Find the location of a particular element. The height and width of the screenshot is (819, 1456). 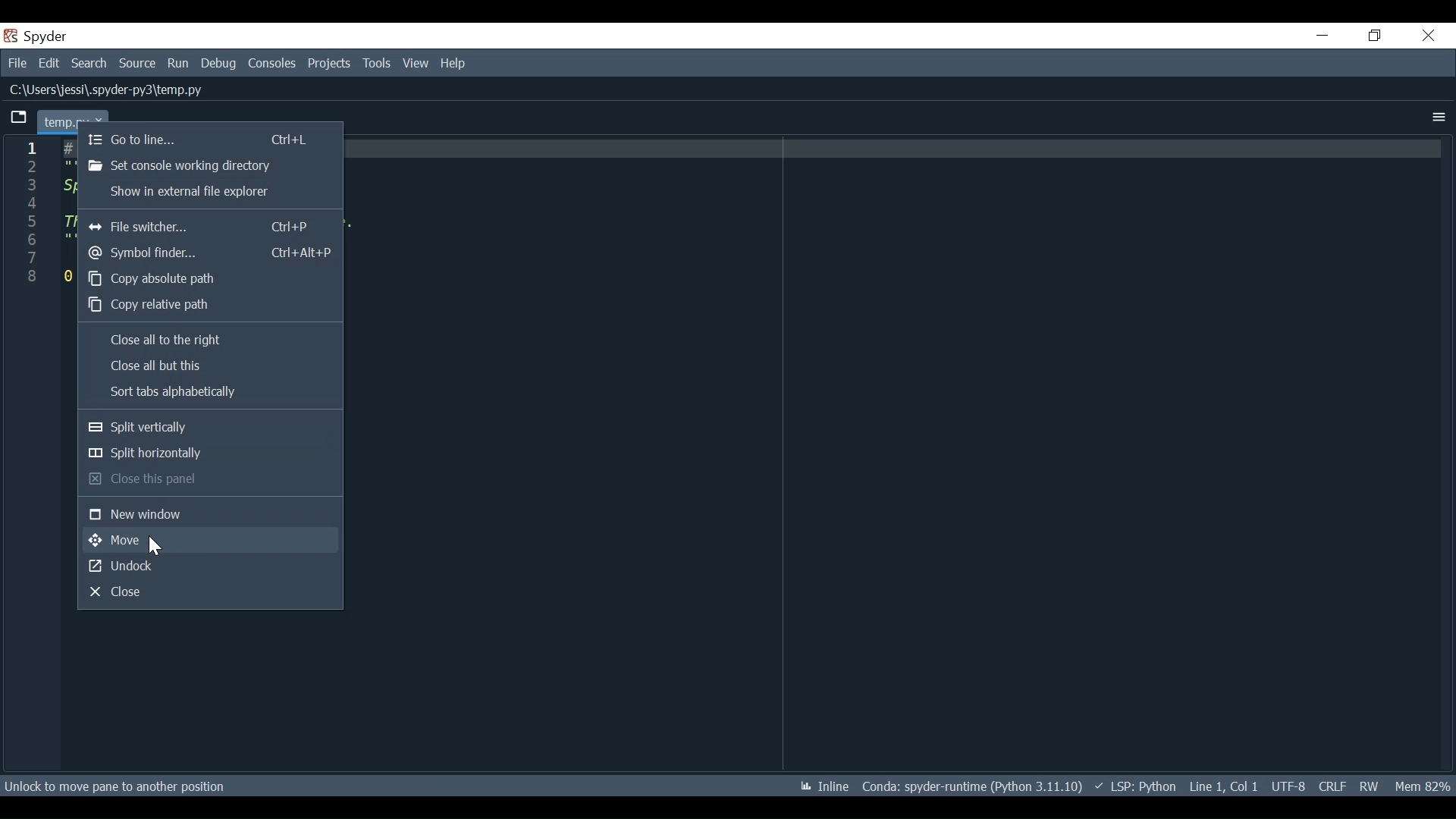

Tools is located at coordinates (376, 63).